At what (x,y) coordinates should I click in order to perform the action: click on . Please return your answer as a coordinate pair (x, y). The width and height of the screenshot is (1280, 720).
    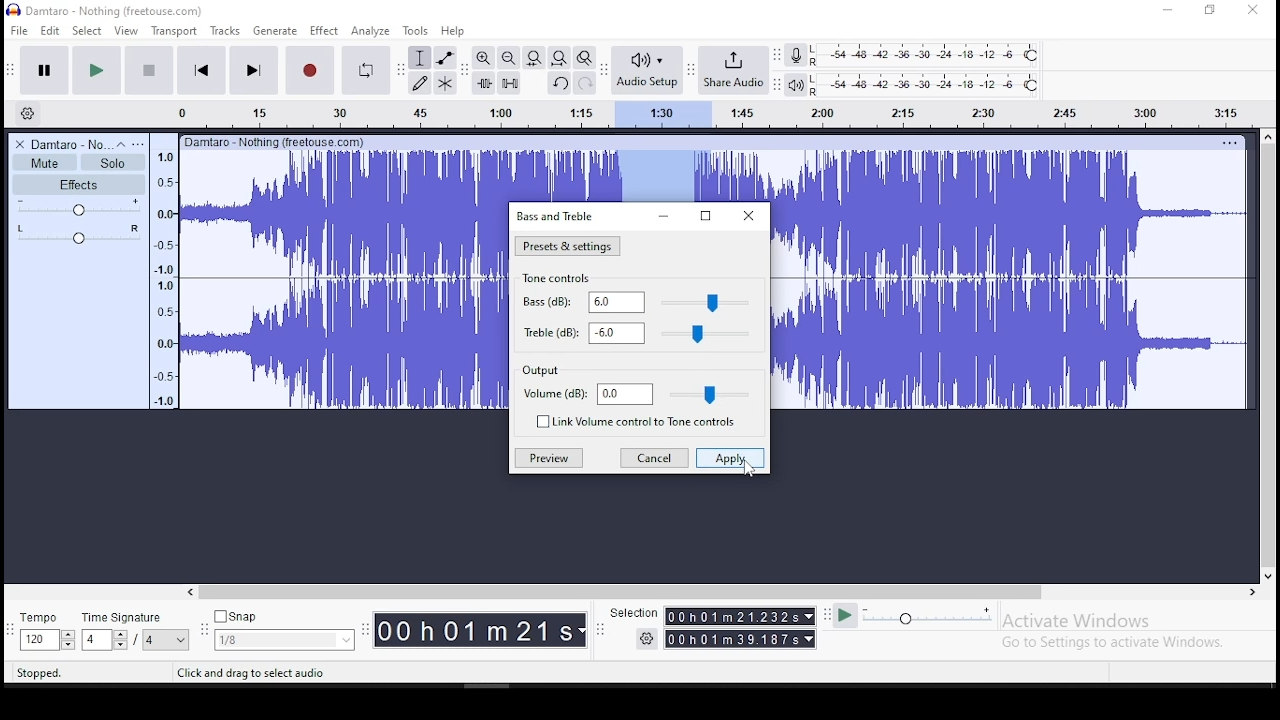
    Looking at the image, I should click on (775, 53).